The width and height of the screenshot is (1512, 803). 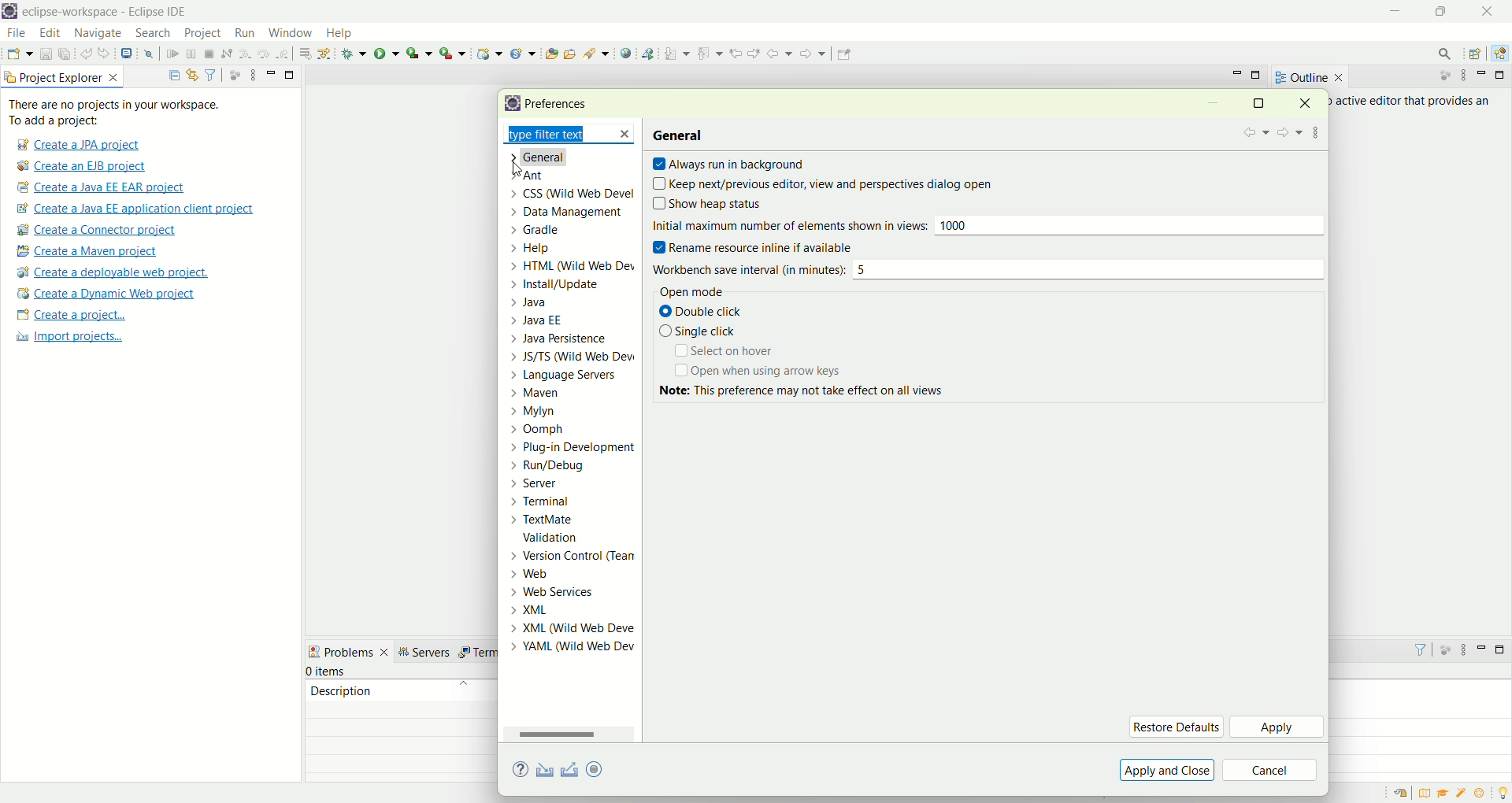 What do you see at coordinates (574, 249) in the screenshot?
I see `help` at bounding box center [574, 249].